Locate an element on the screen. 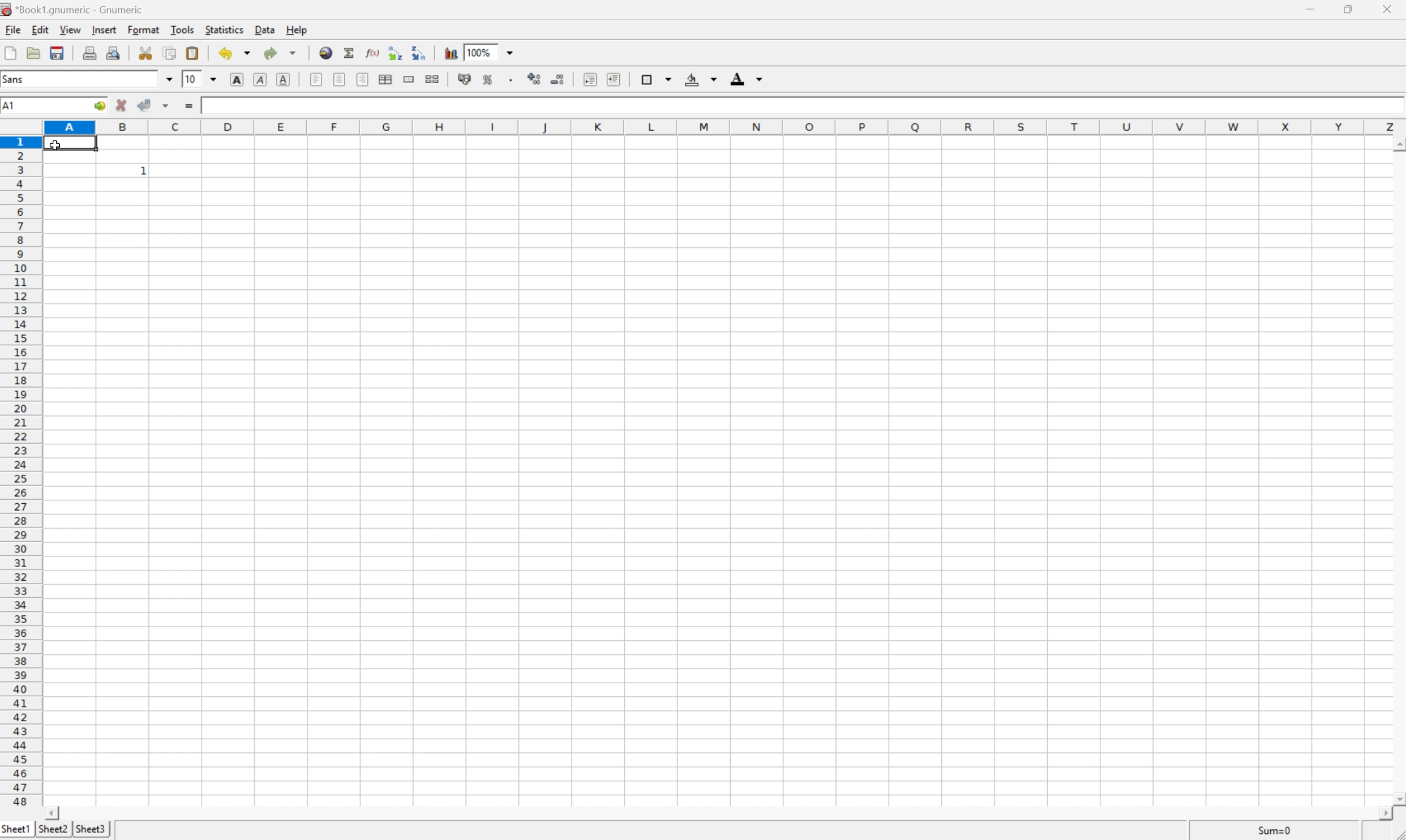 This screenshot has height=840, width=1406. decrease indent is located at coordinates (588, 78).